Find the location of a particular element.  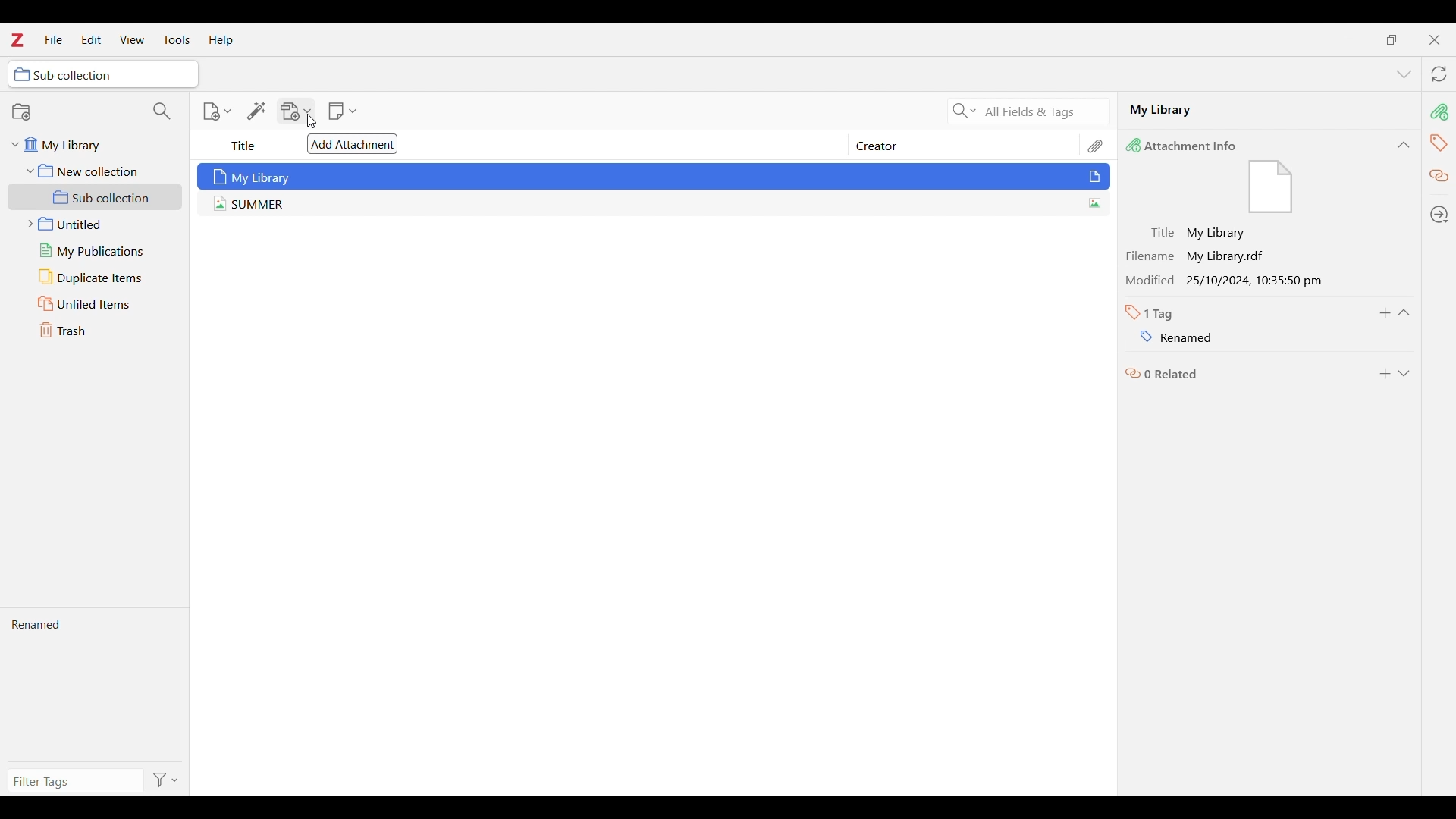

New note options is located at coordinates (342, 111).